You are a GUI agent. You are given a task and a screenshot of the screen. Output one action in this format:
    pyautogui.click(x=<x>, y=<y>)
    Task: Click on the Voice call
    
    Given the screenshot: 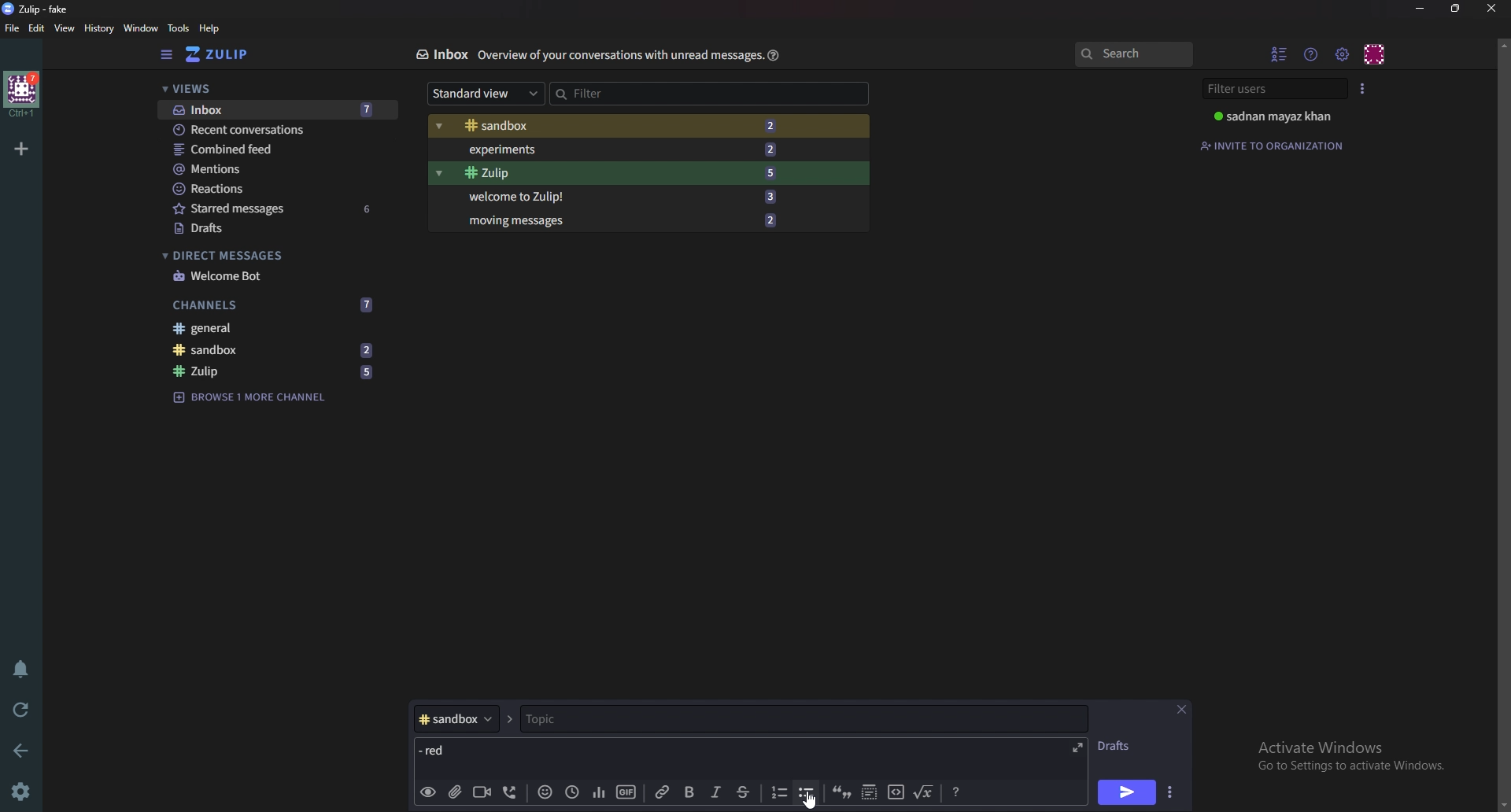 What is the action you would take?
    pyautogui.click(x=513, y=792)
    